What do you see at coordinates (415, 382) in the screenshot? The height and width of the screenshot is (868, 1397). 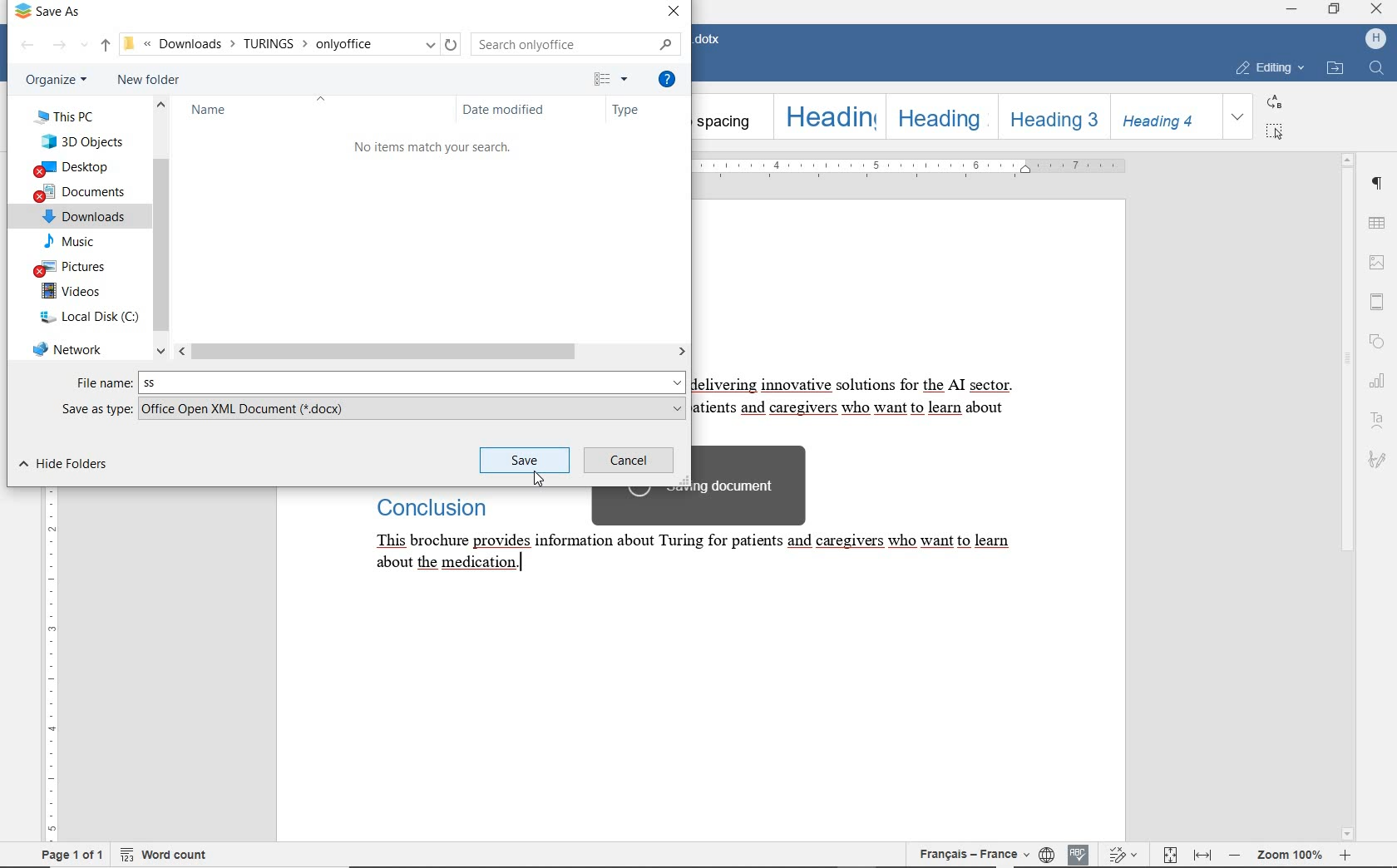 I see `ss` at bounding box center [415, 382].